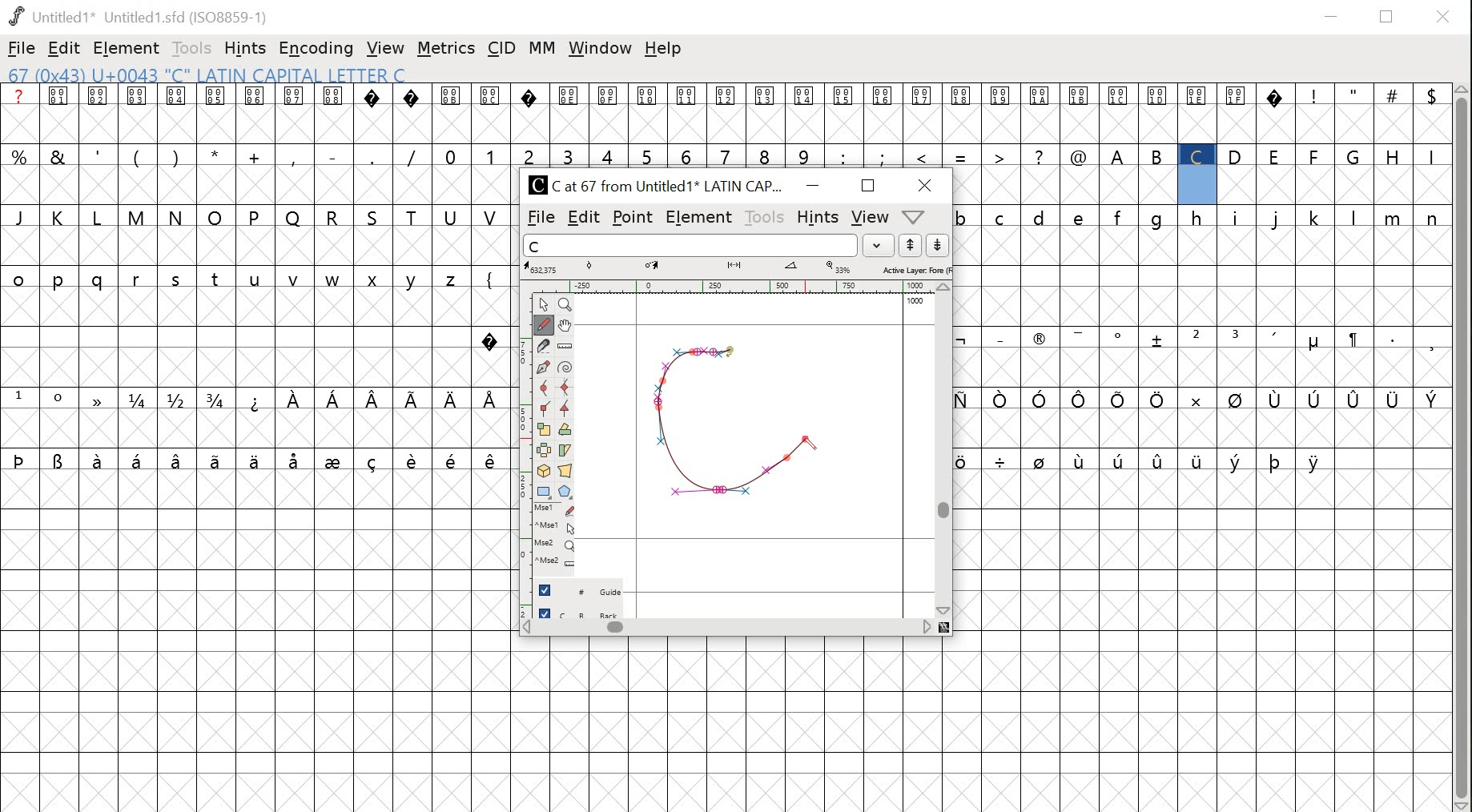 The height and width of the screenshot is (812, 1472). Describe the element at coordinates (315, 50) in the screenshot. I see `encoding` at that location.